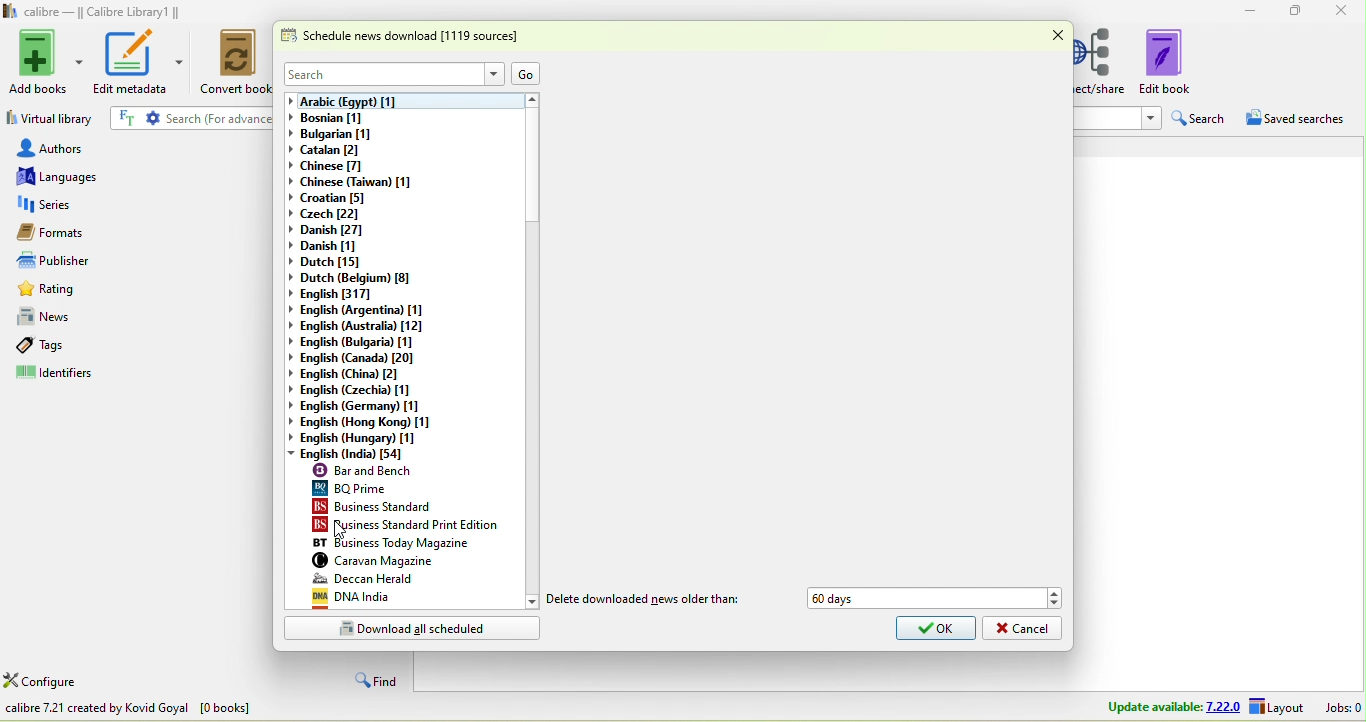 Image resolution: width=1366 pixels, height=722 pixels. What do you see at coordinates (139, 233) in the screenshot?
I see `formats` at bounding box center [139, 233].